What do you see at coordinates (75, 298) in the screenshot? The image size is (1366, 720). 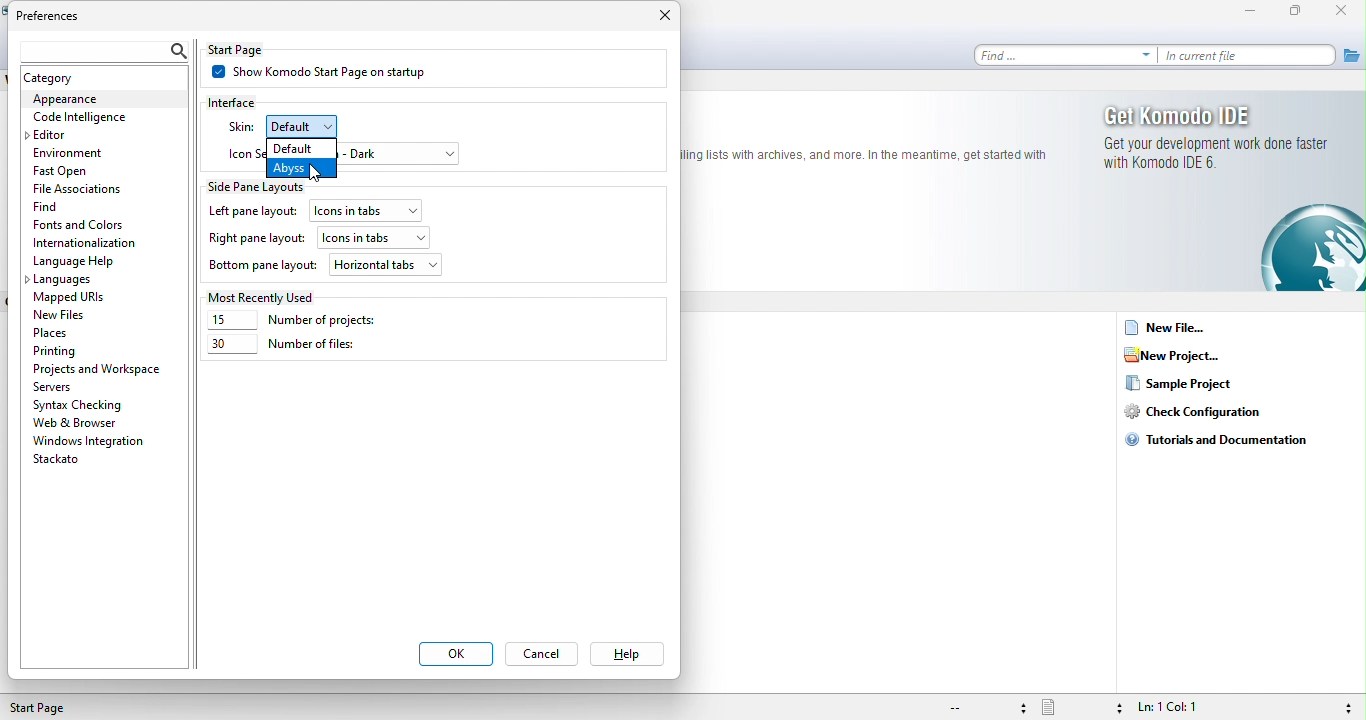 I see `mapped urls` at bounding box center [75, 298].